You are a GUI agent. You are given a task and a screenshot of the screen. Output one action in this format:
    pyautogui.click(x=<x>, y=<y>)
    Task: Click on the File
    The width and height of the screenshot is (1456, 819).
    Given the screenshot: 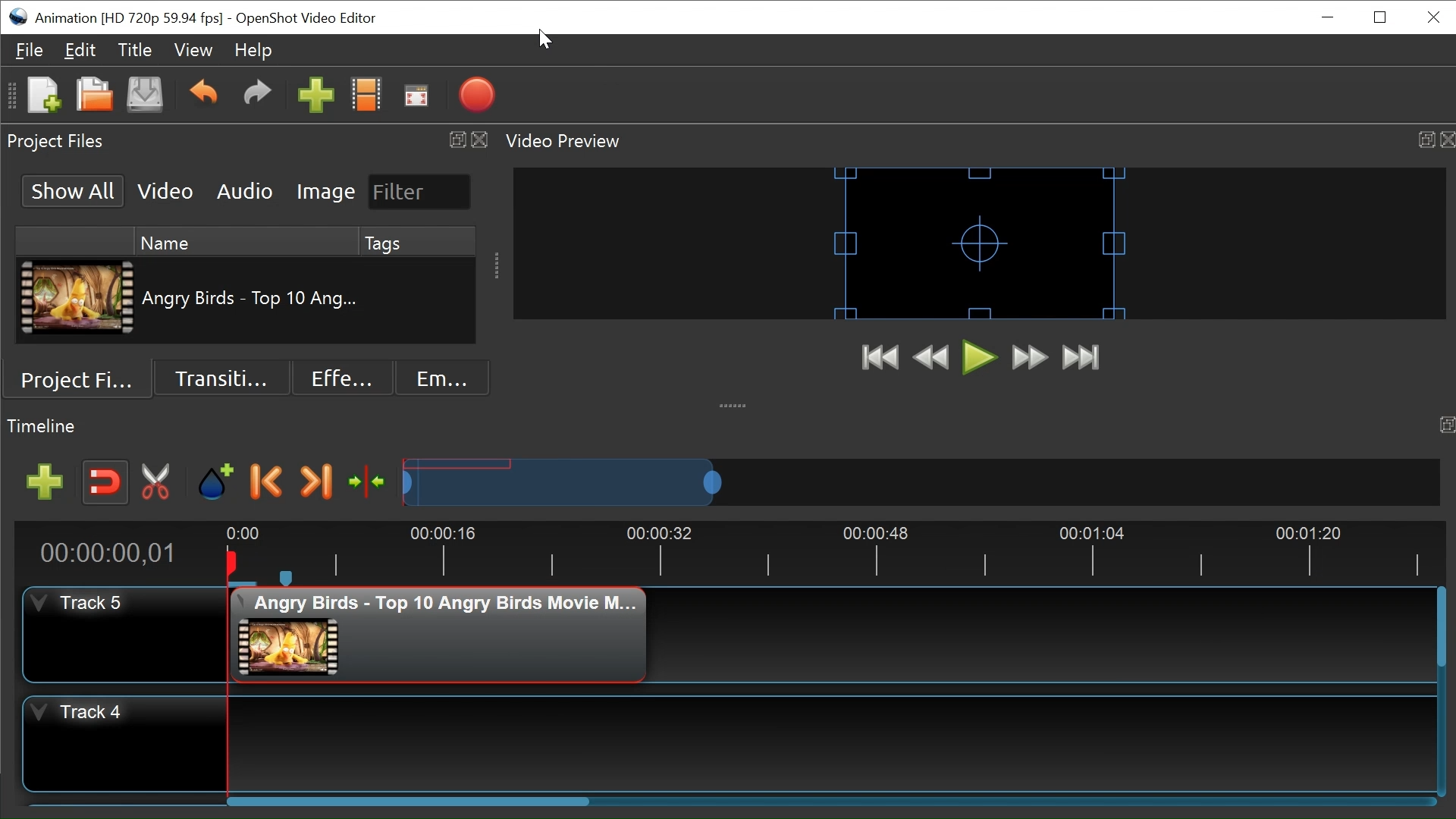 What is the action you would take?
    pyautogui.click(x=33, y=52)
    